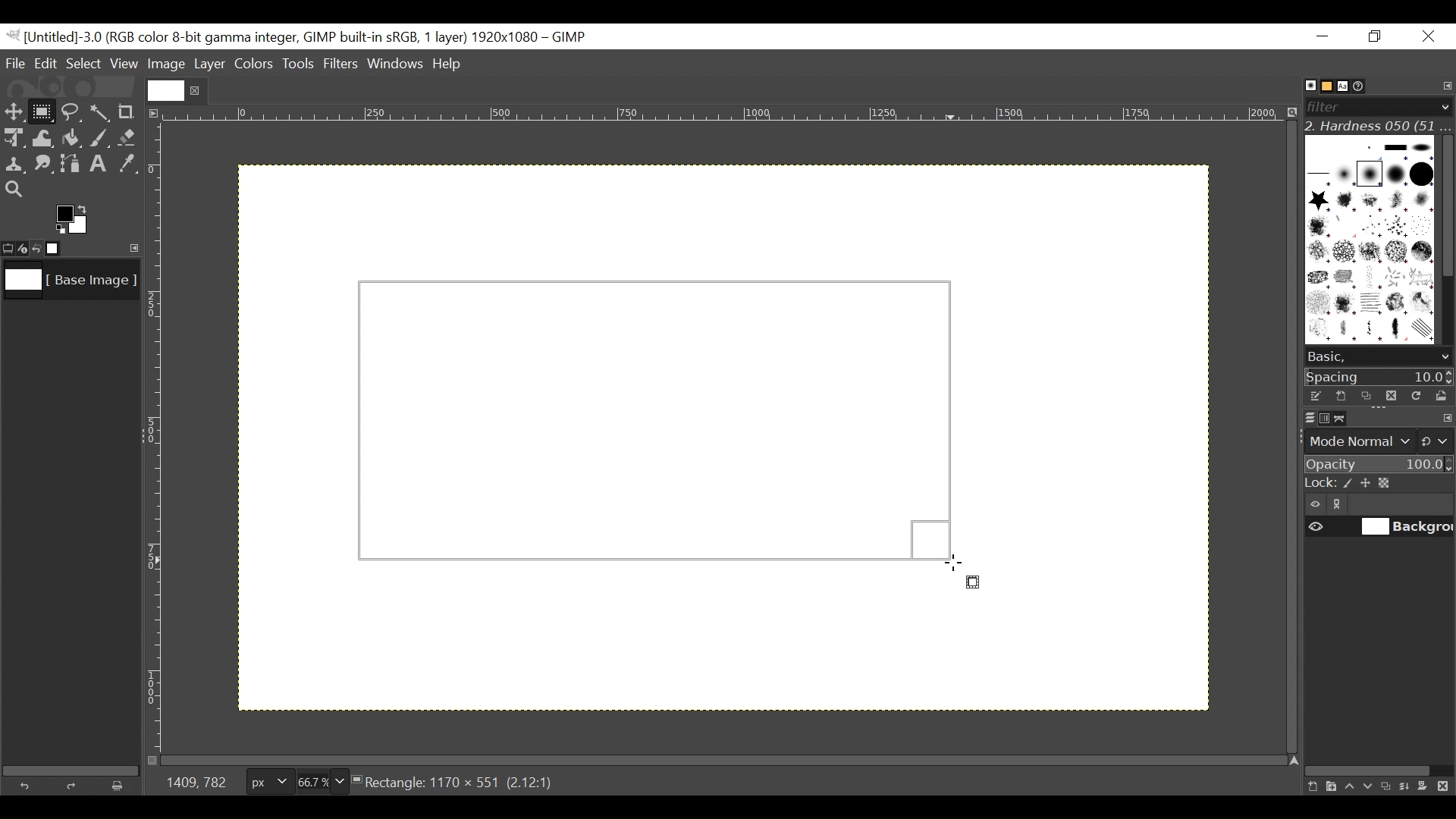 Image resolution: width=1456 pixels, height=819 pixels. Describe the element at coordinates (266, 779) in the screenshot. I see `Pixels` at that location.